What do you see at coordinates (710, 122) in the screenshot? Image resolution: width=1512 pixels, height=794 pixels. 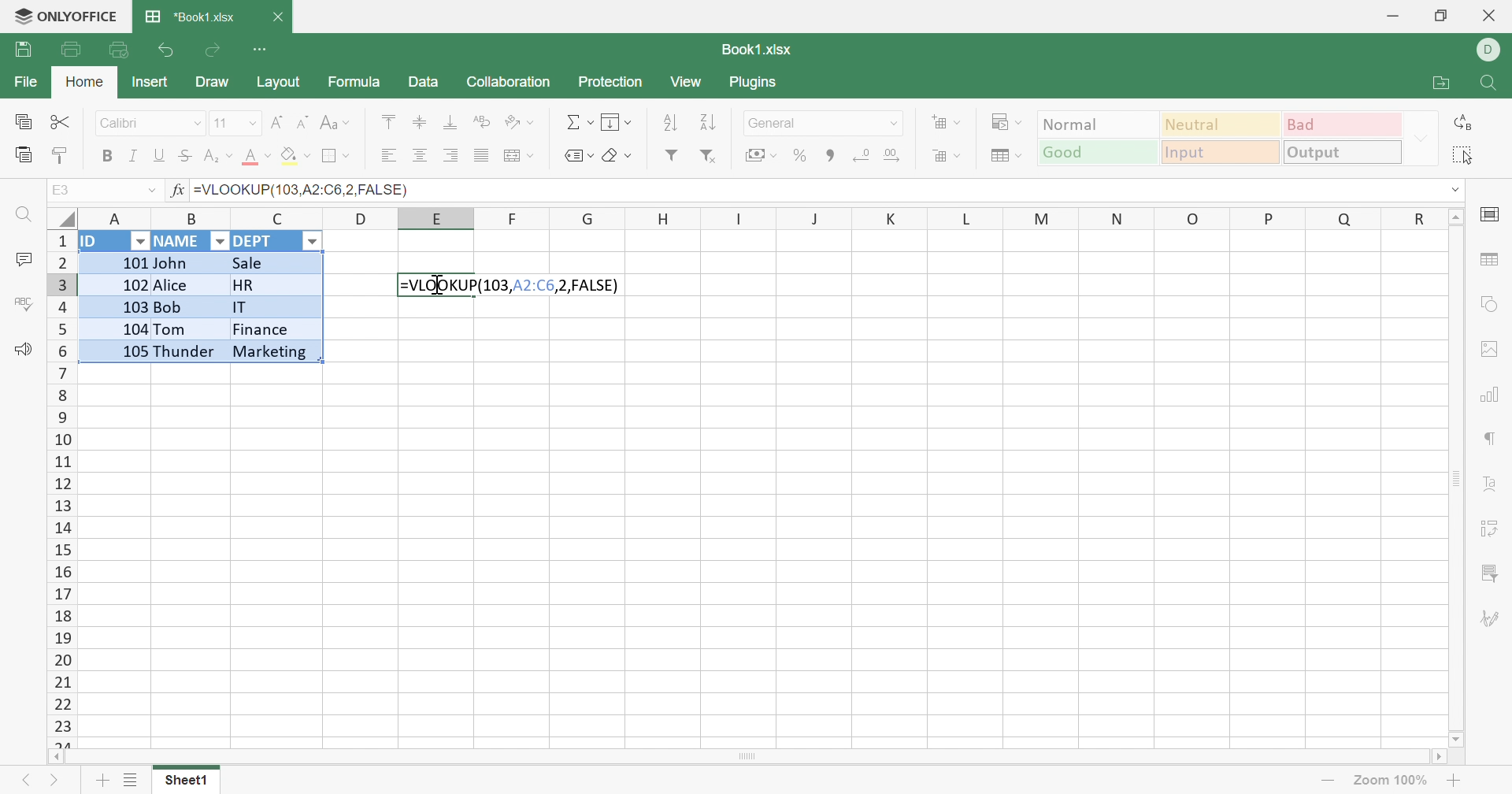 I see `Descending order` at bounding box center [710, 122].